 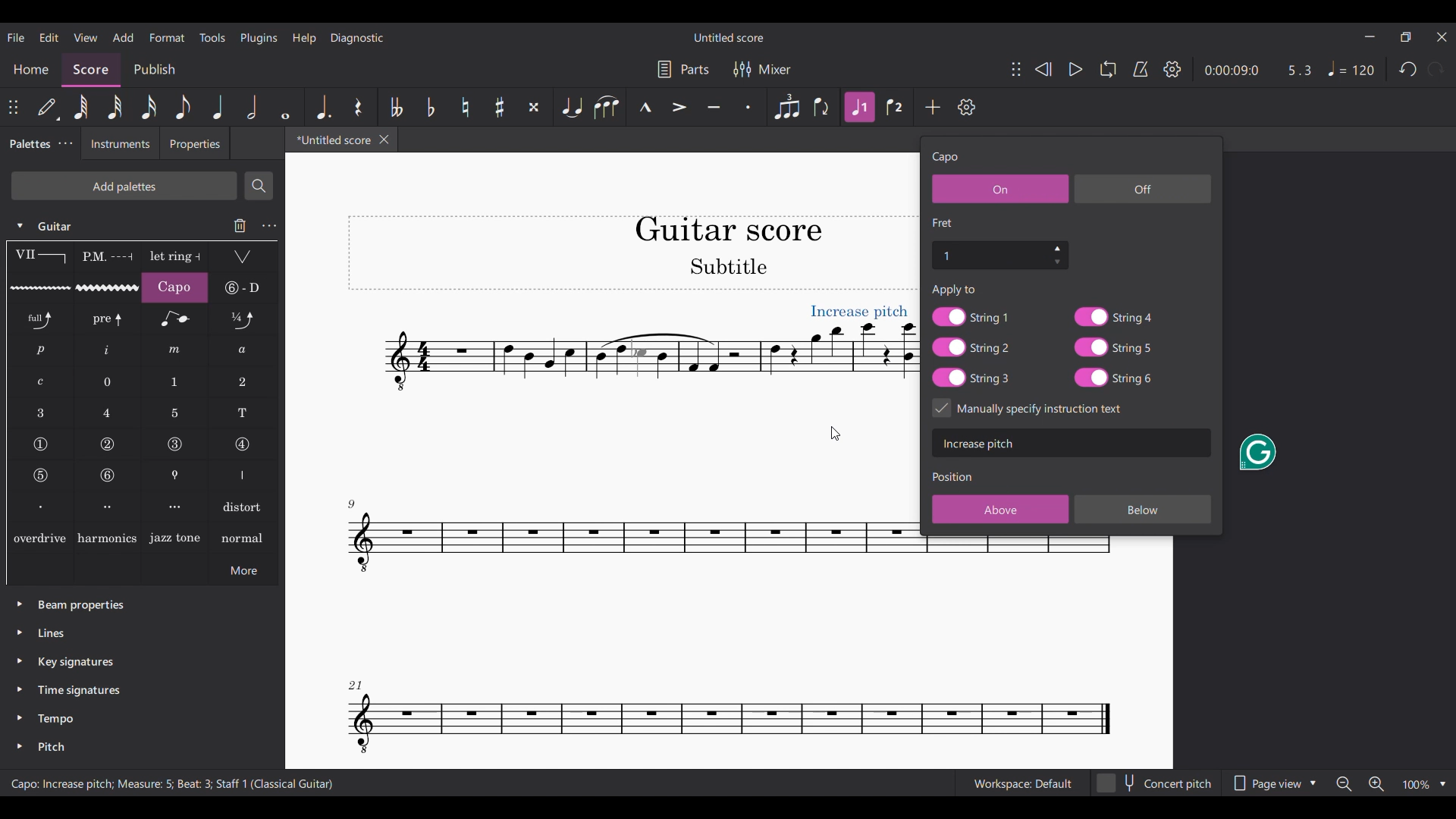 I want to click on Grammarly extension, so click(x=1256, y=455).